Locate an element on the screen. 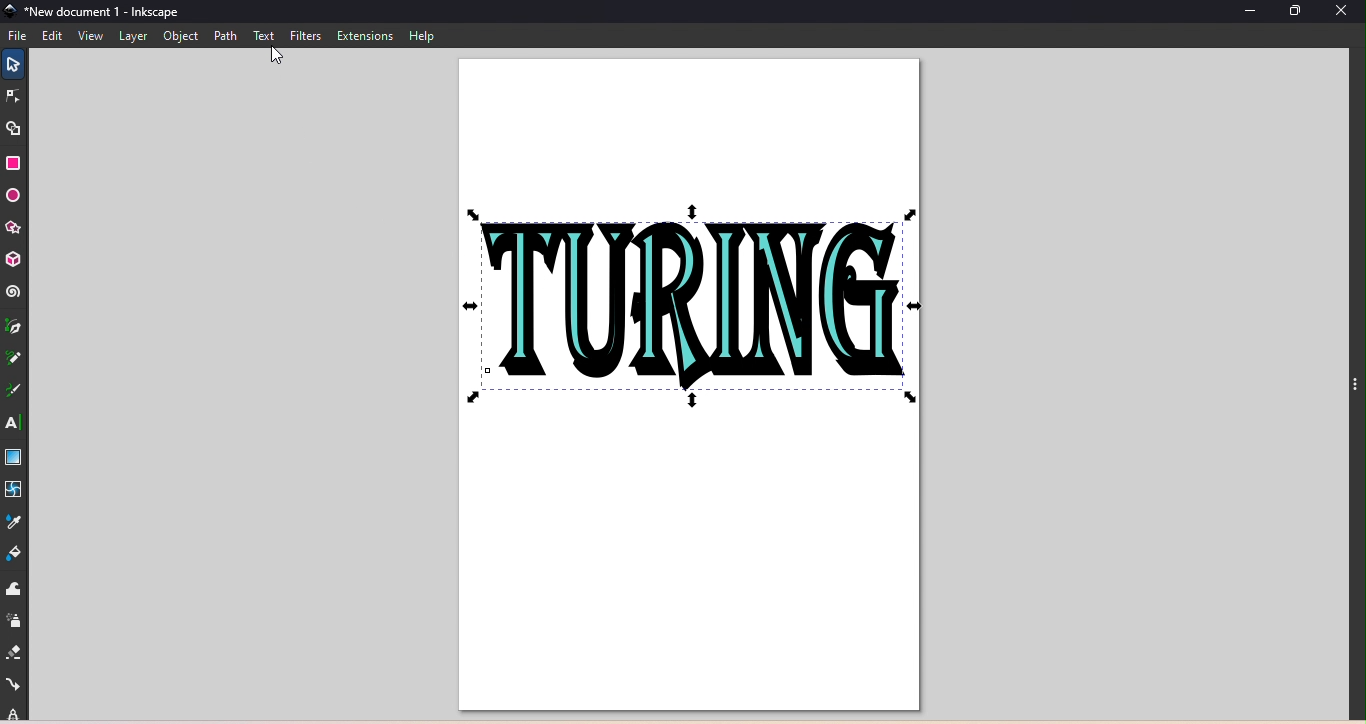  Object is located at coordinates (181, 37).